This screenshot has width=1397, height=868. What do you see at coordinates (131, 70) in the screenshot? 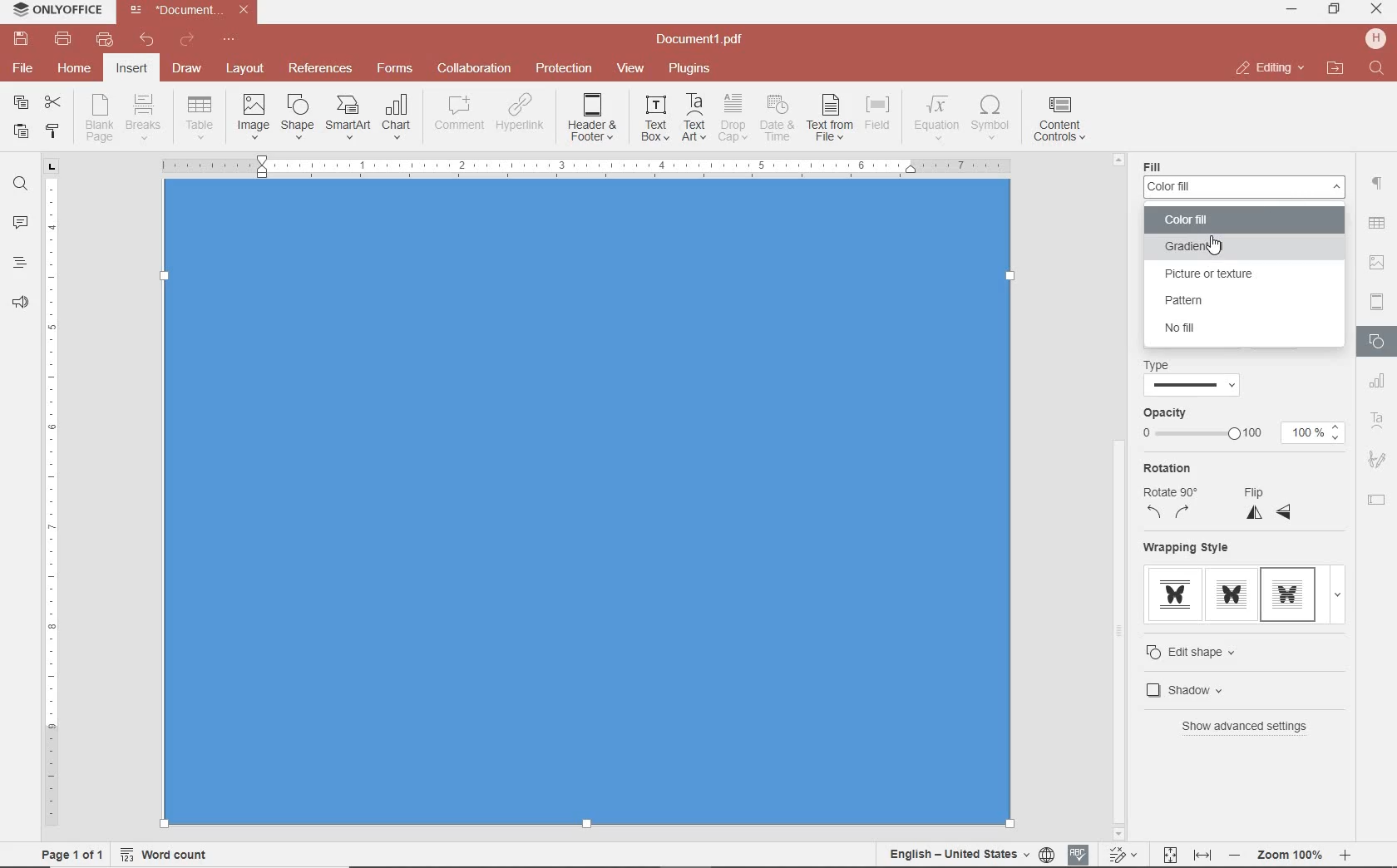
I see `insert` at bounding box center [131, 70].